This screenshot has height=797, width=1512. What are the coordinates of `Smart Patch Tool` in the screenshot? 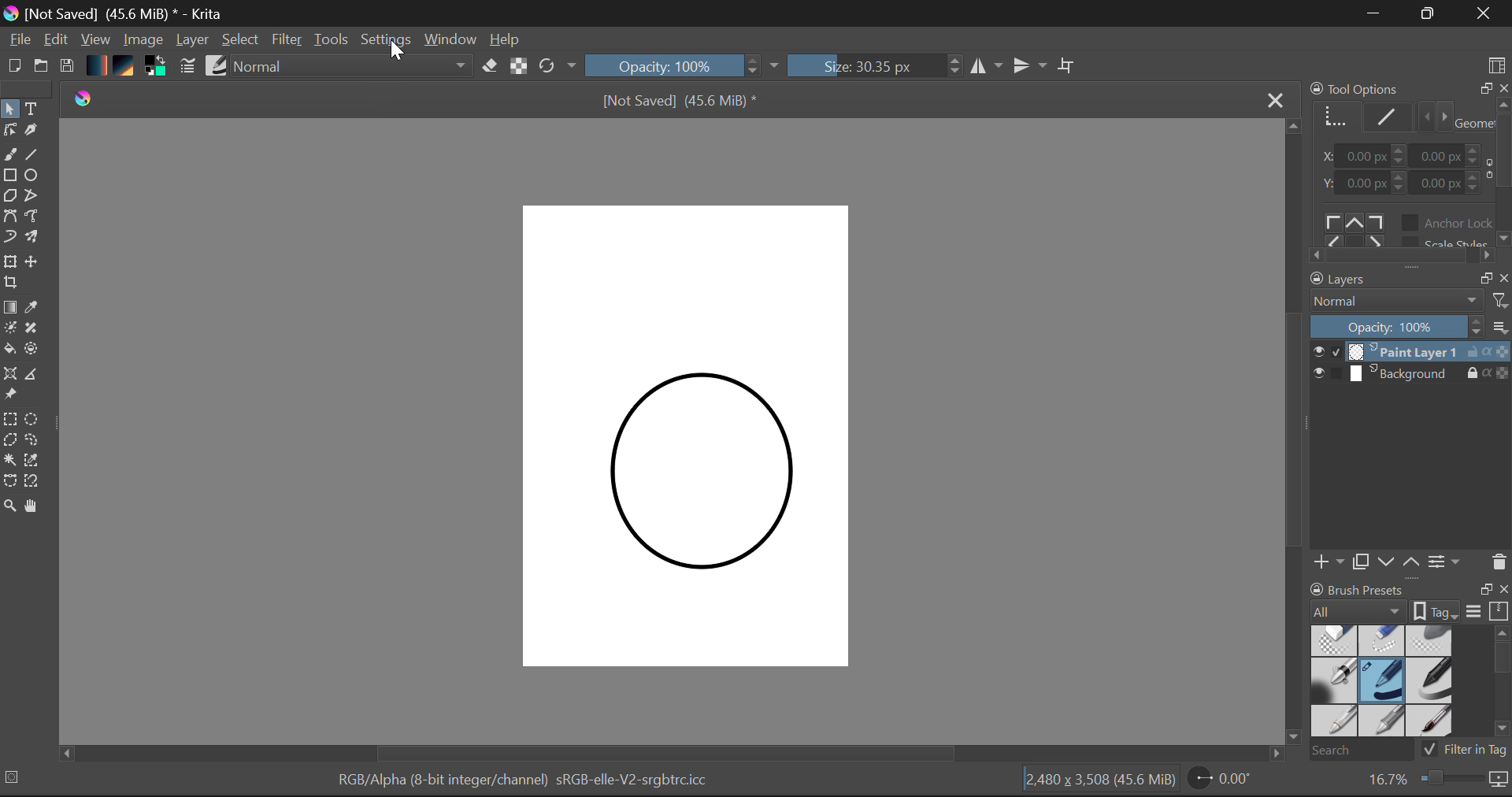 It's located at (34, 328).